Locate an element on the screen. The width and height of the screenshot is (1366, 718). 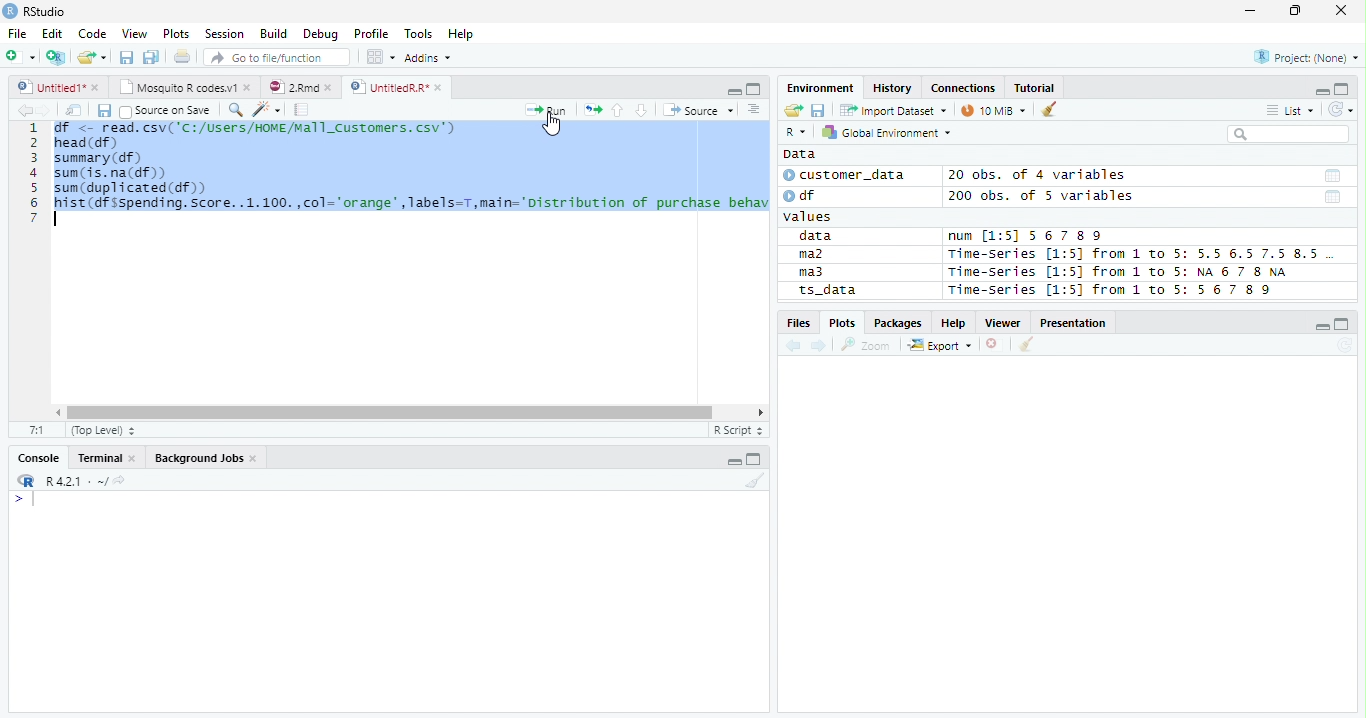
values is located at coordinates (810, 217).